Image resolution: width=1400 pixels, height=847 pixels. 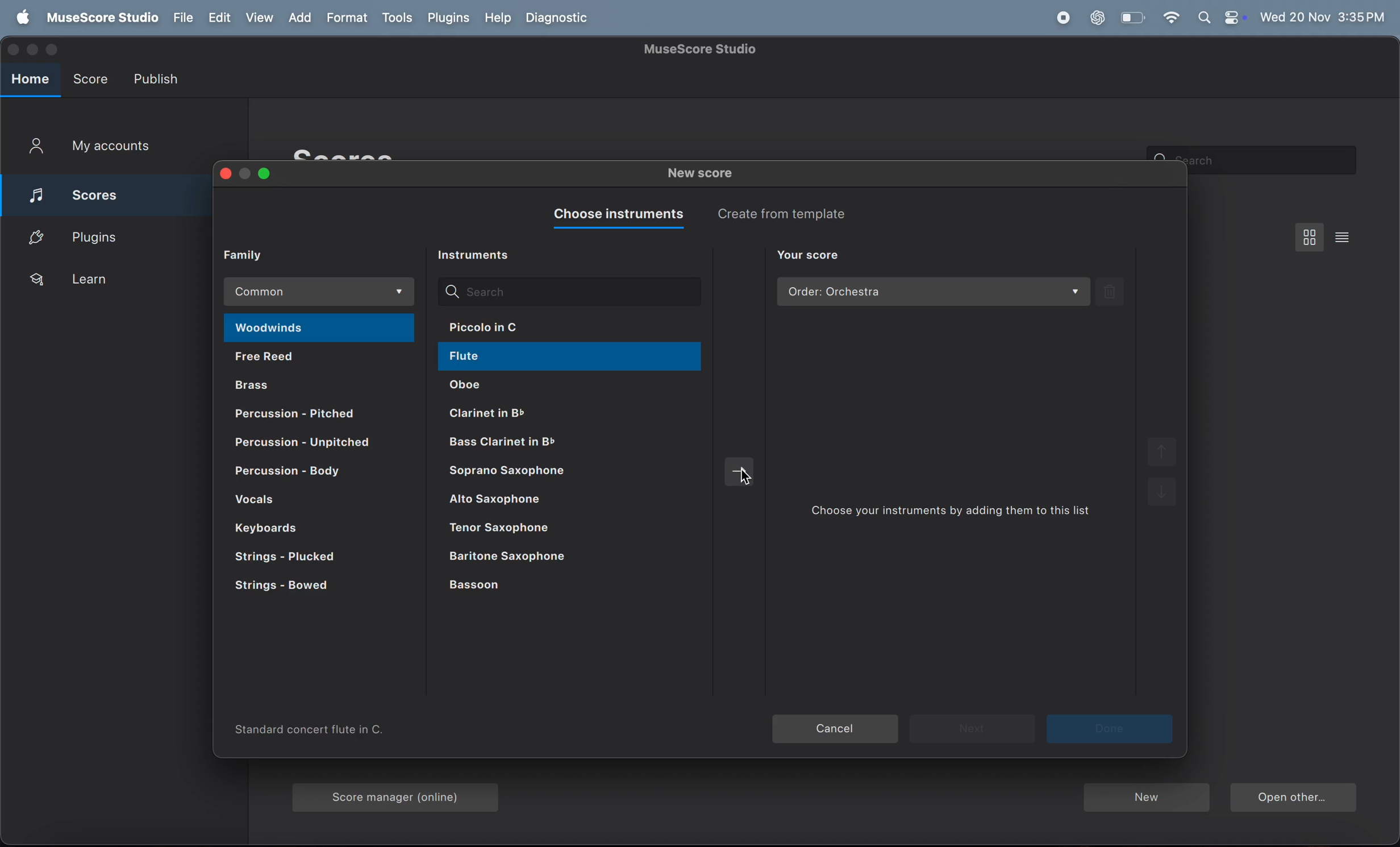 I want to click on instrument, so click(x=479, y=256).